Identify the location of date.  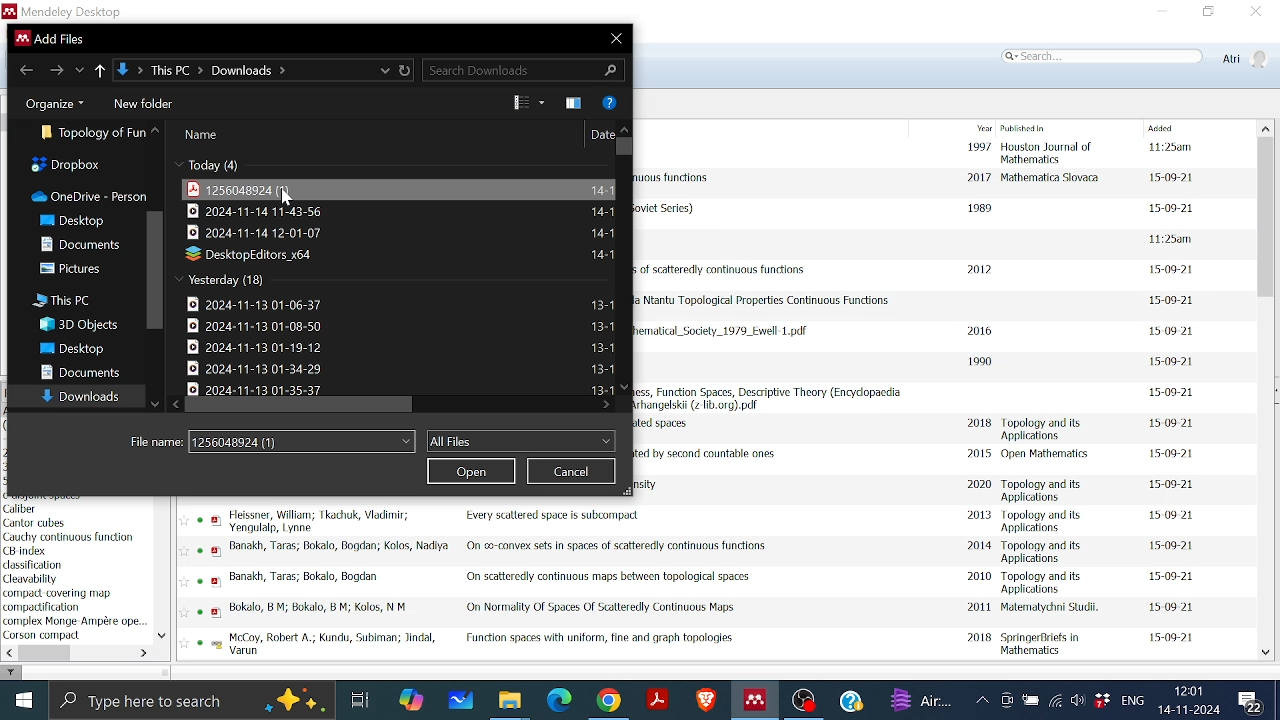
(1169, 423).